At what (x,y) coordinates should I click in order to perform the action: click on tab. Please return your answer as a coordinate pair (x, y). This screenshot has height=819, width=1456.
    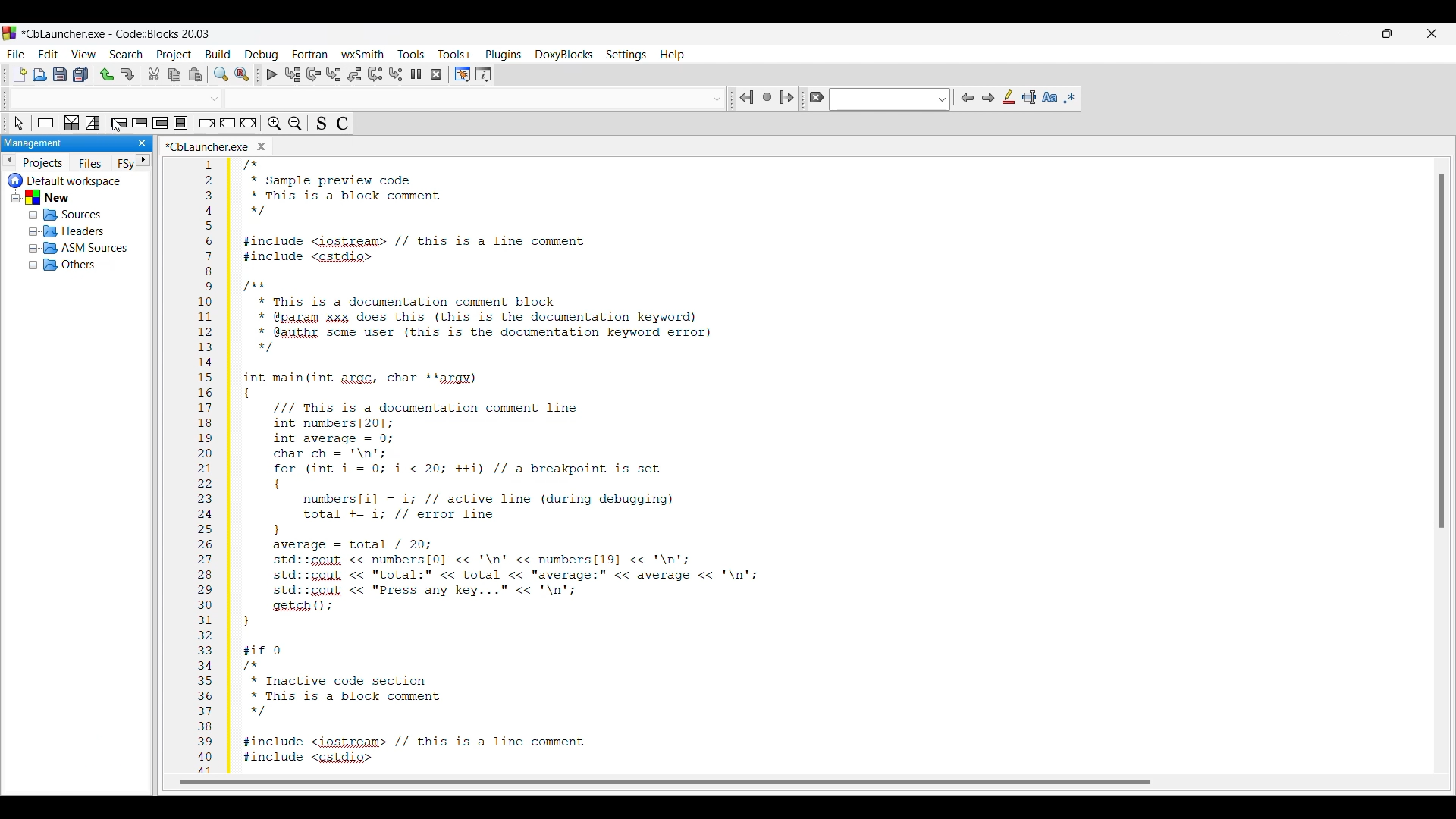
    Looking at the image, I should click on (1439, 351).